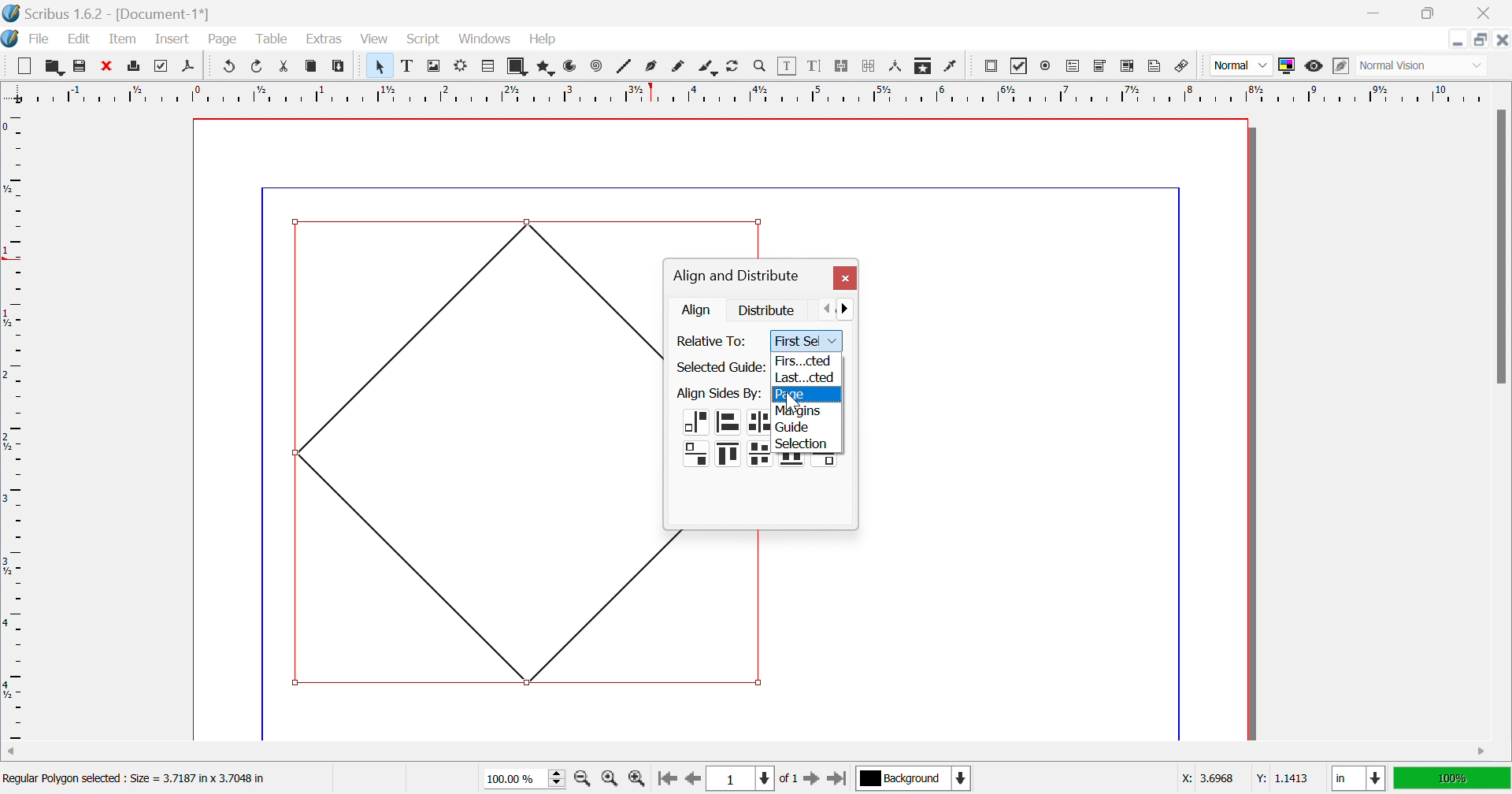  What do you see at coordinates (383, 66) in the screenshot?
I see `Select item` at bounding box center [383, 66].